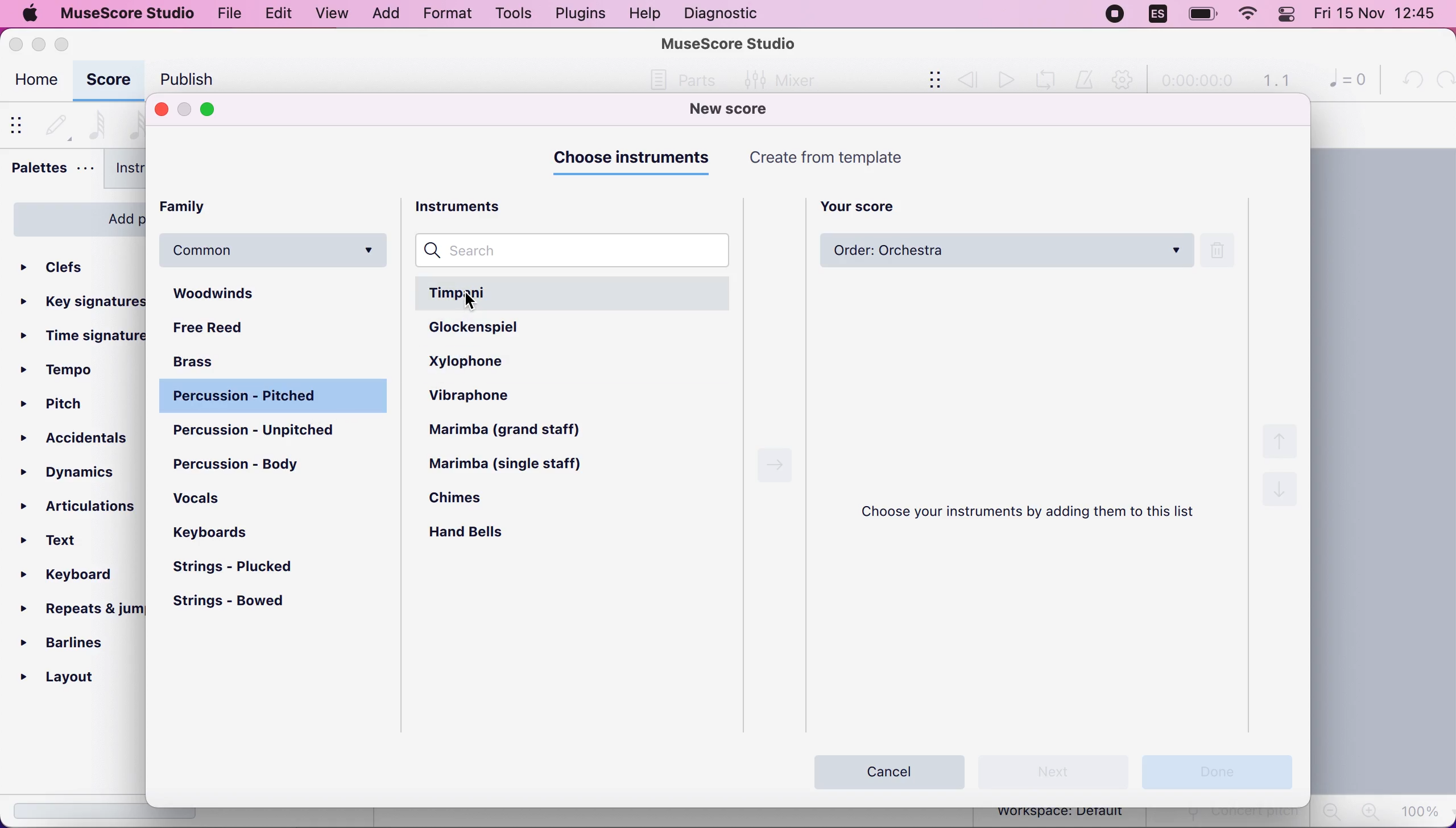  I want to click on 0, so click(1342, 82).